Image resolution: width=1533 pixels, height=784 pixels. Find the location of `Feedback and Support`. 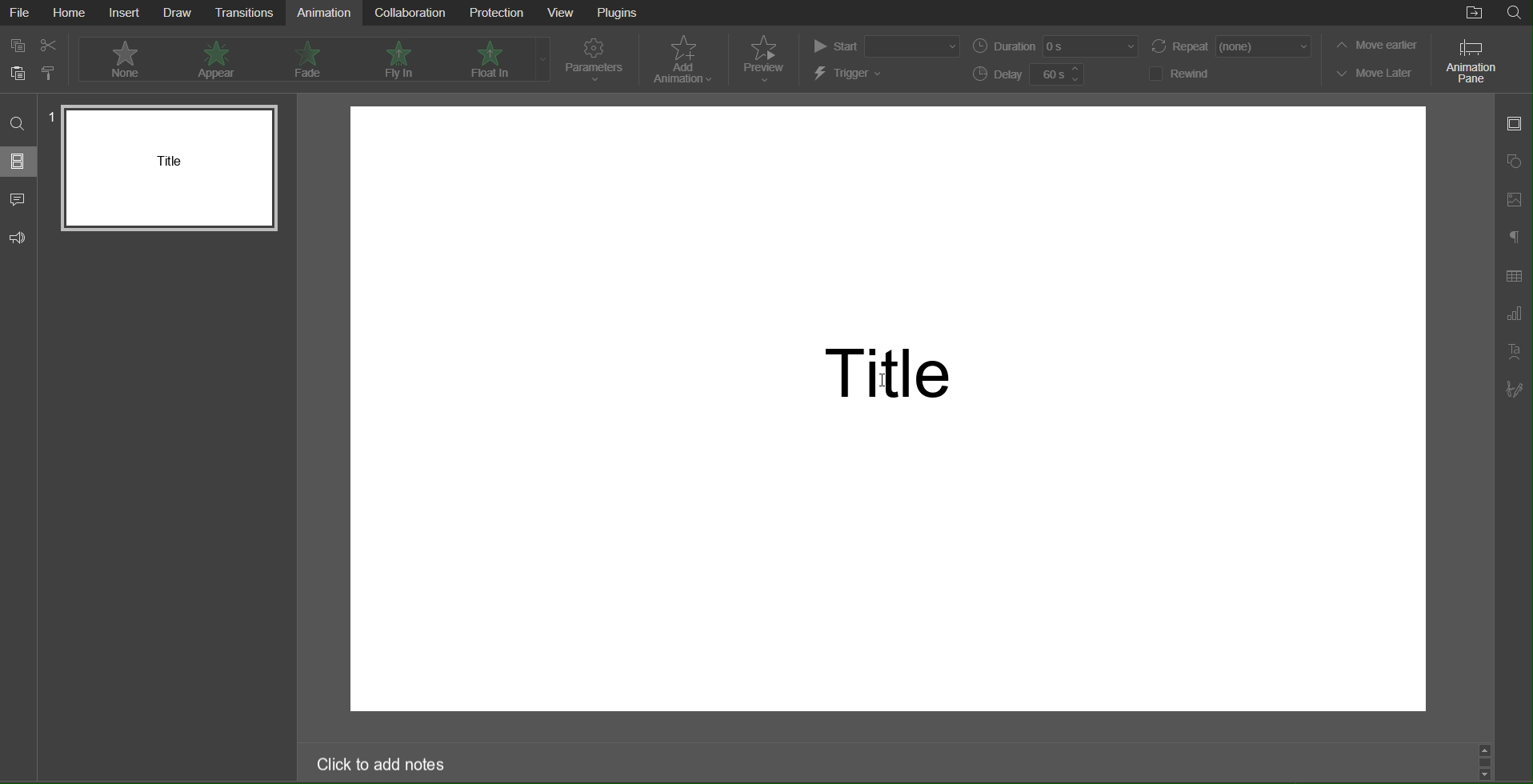

Feedback and Support is located at coordinates (19, 235).